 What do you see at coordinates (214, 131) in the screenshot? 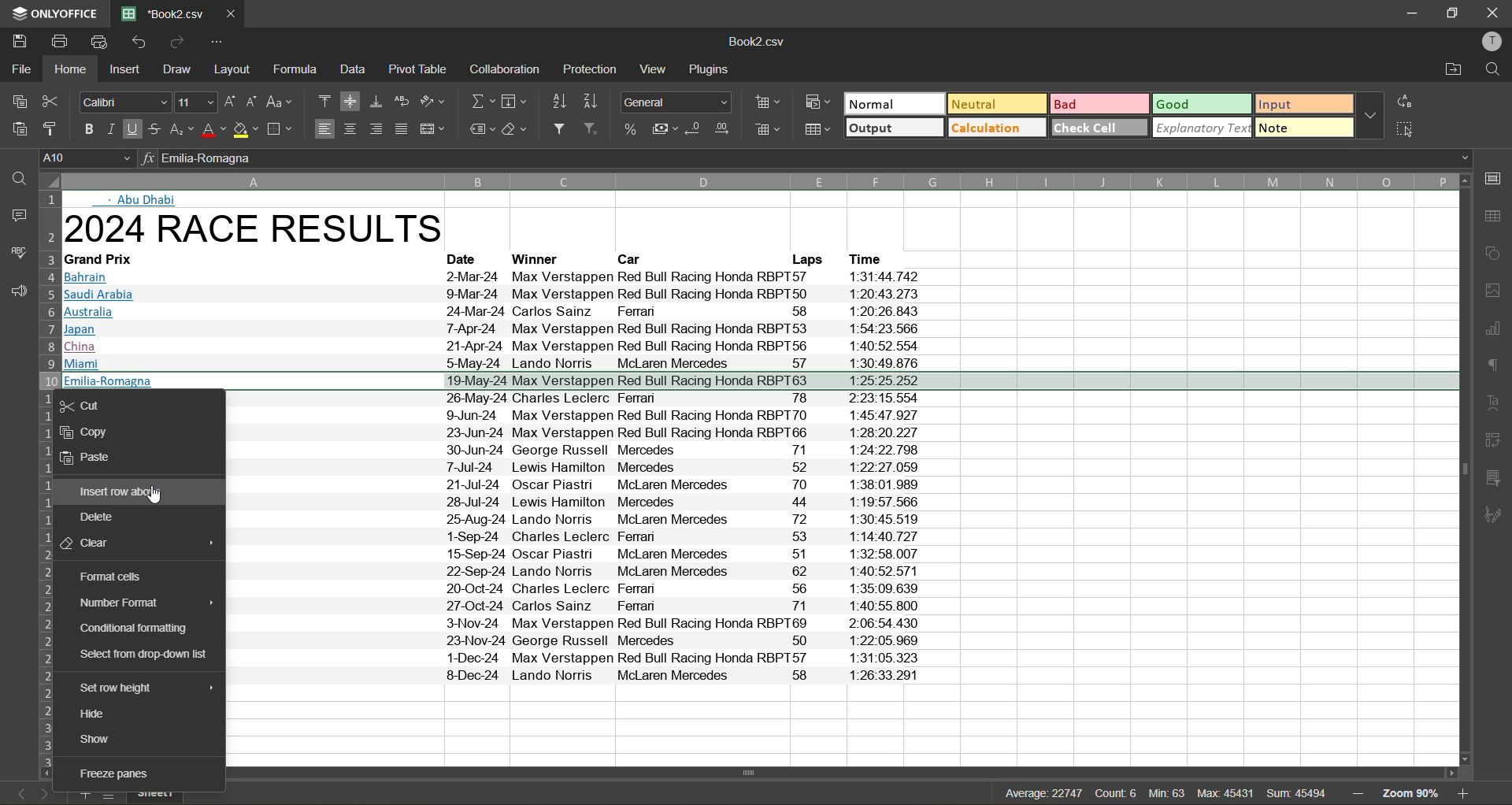
I see `font color` at bounding box center [214, 131].